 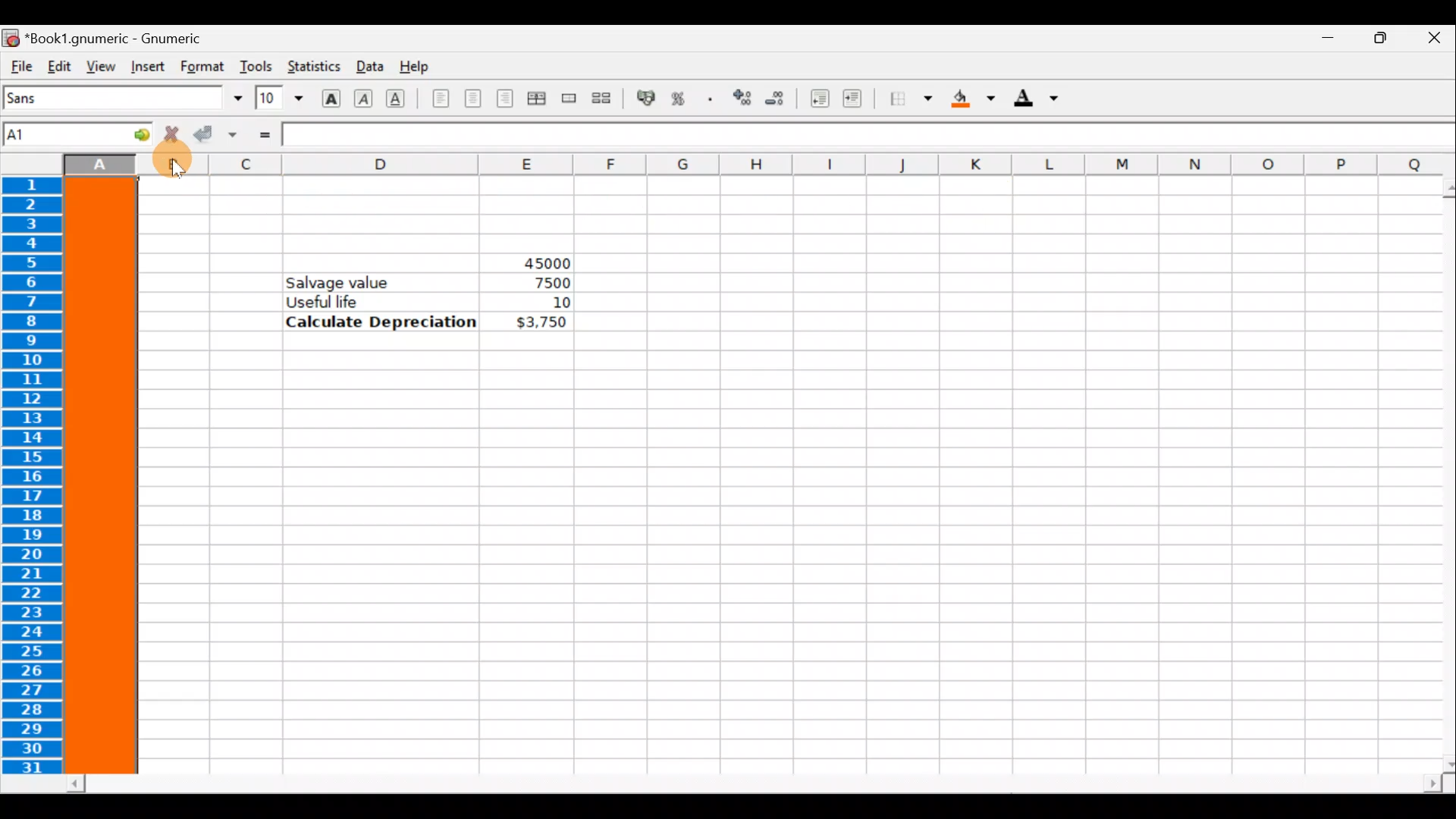 What do you see at coordinates (570, 101) in the screenshot?
I see `Merge a range of cells` at bounding box center [570, 101].